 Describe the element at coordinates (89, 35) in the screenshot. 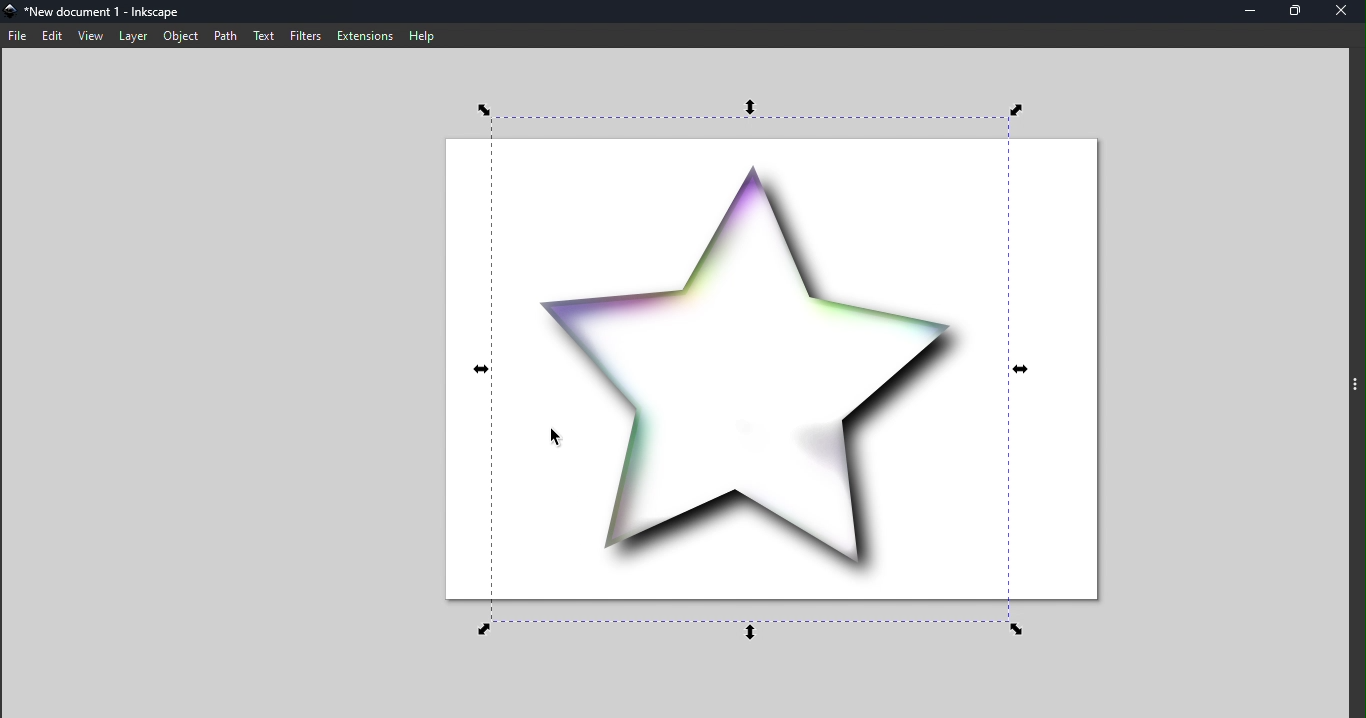

I see `view` at that location.